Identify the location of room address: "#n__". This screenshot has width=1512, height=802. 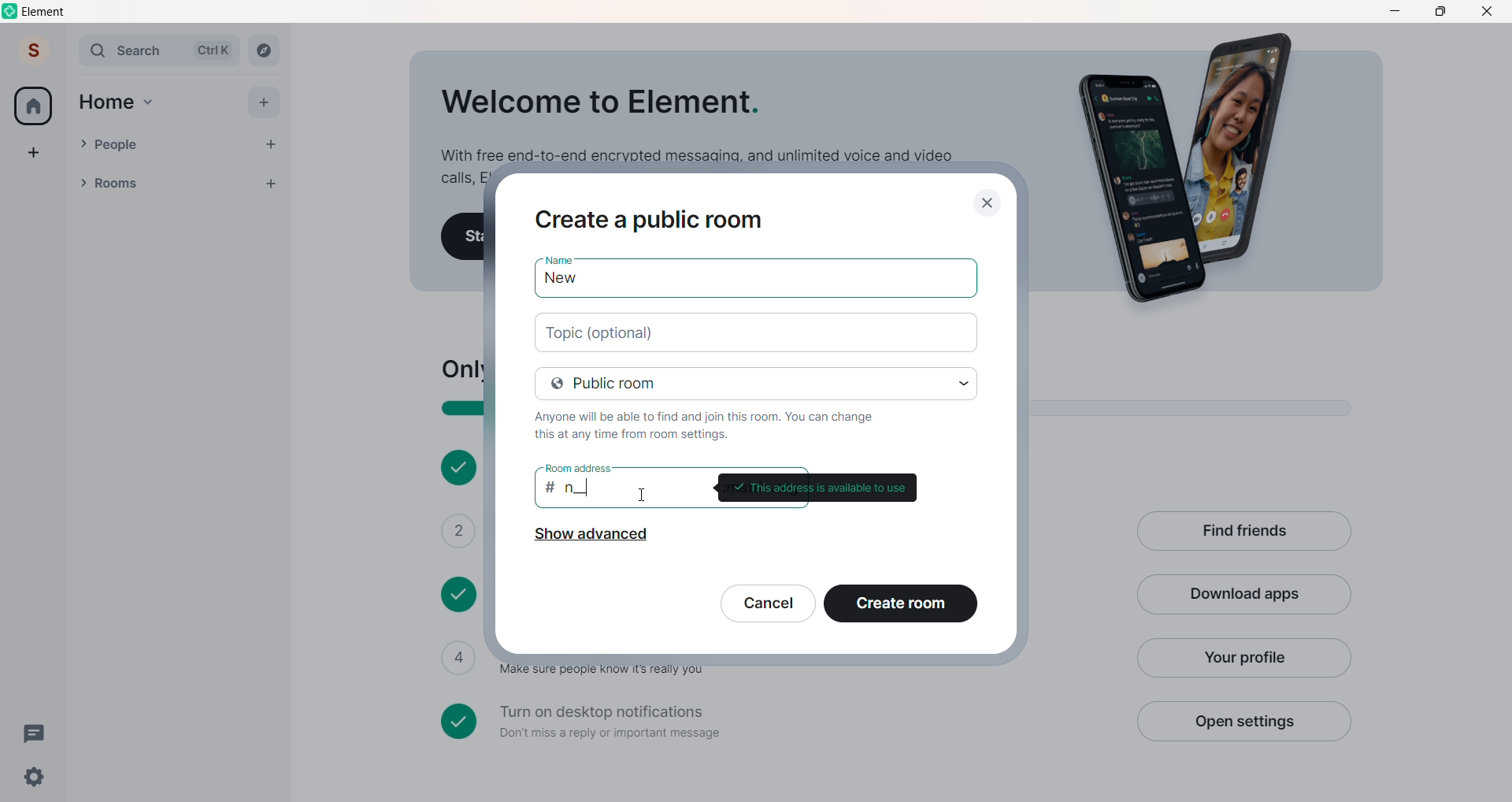
(615, 491).